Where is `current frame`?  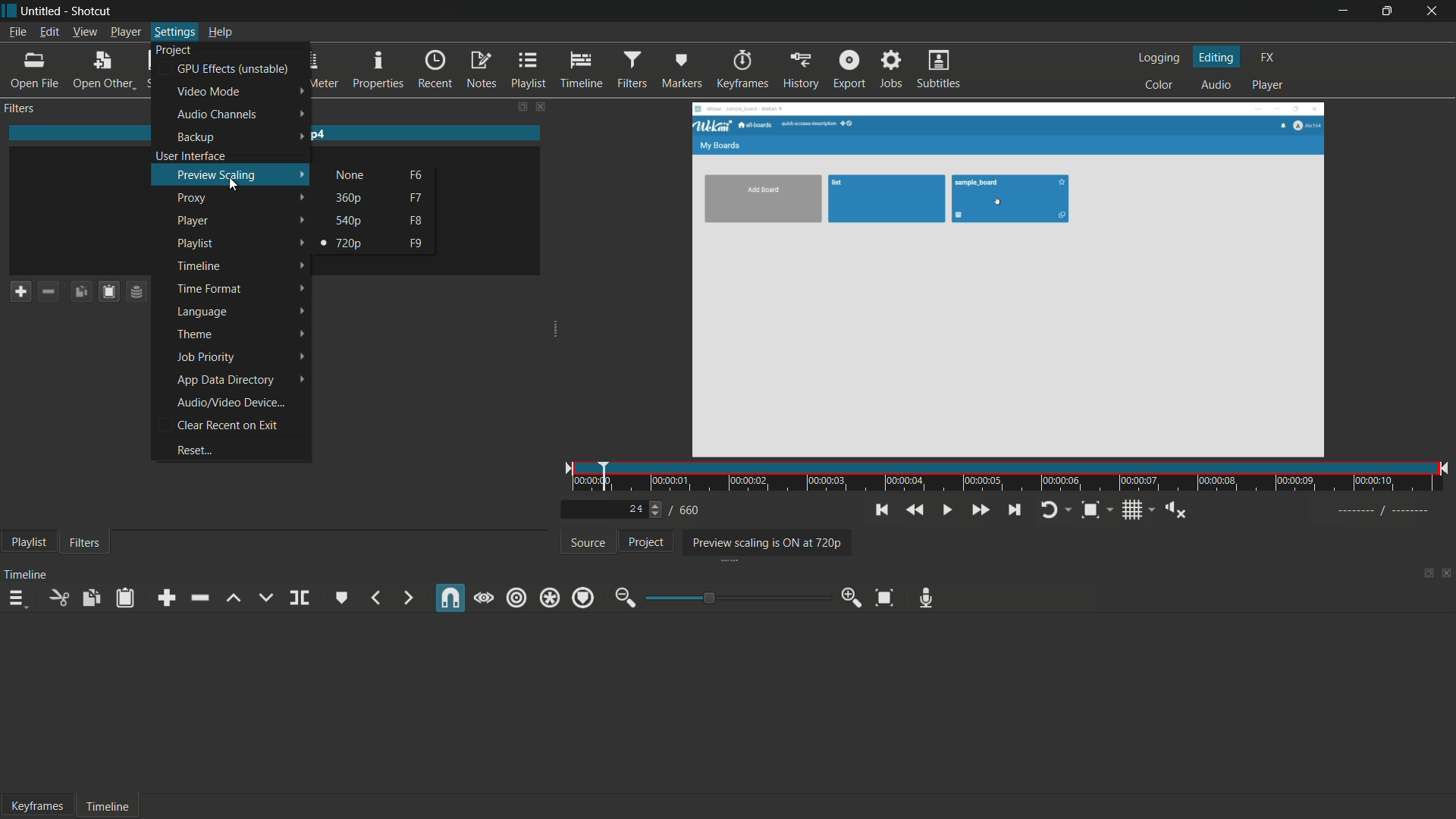 current frame is located at coordinates (635, 508).